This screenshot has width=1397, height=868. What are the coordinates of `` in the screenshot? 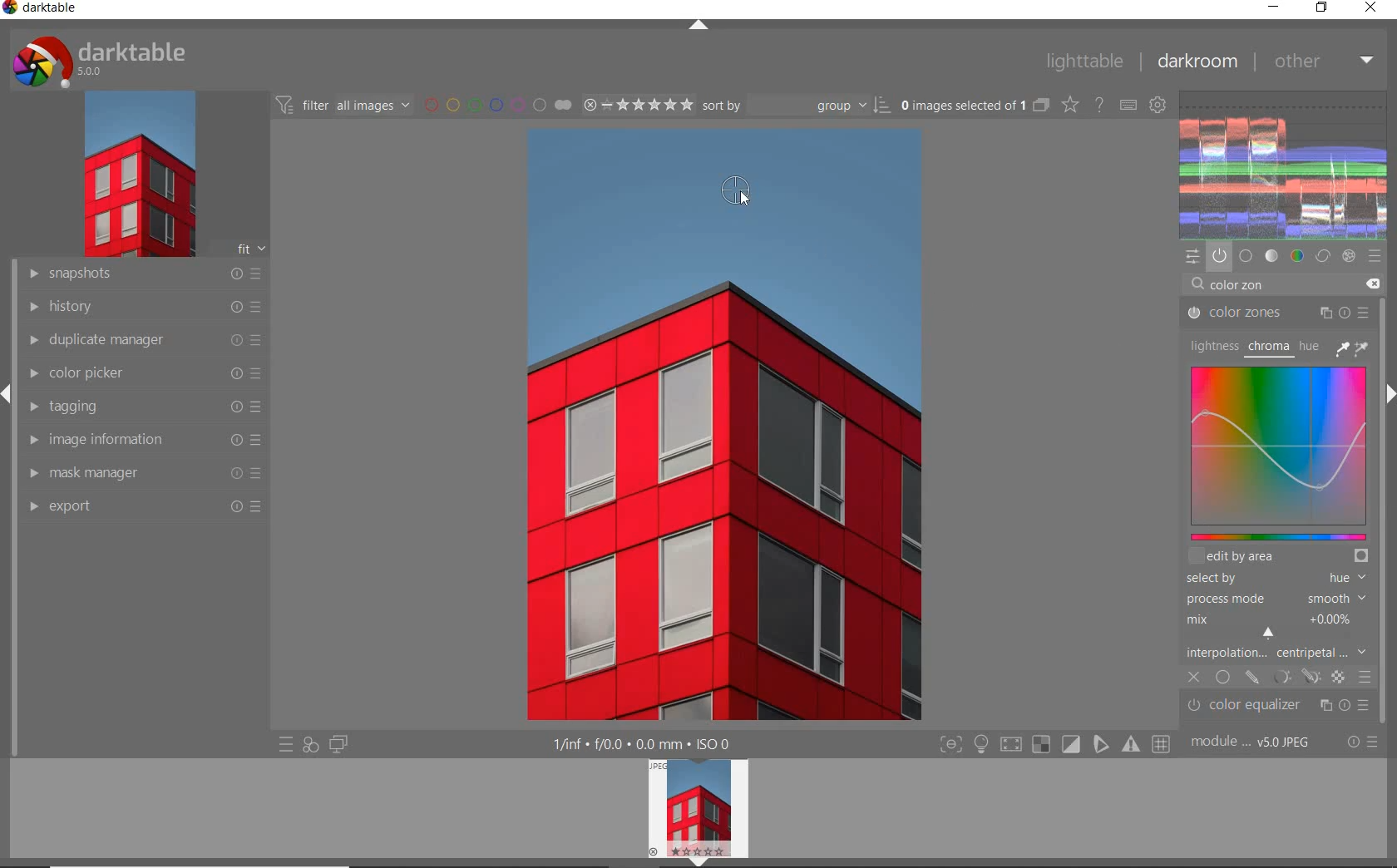 It's located at (1389, 568).